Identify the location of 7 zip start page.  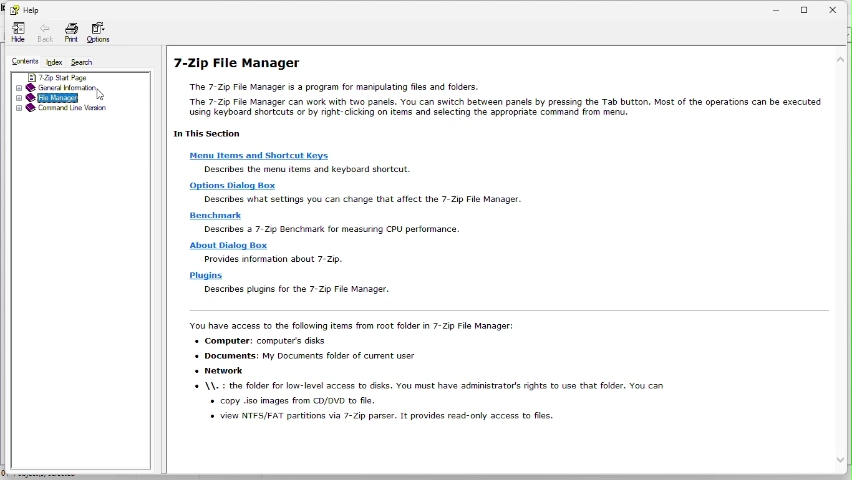
(53, 77).